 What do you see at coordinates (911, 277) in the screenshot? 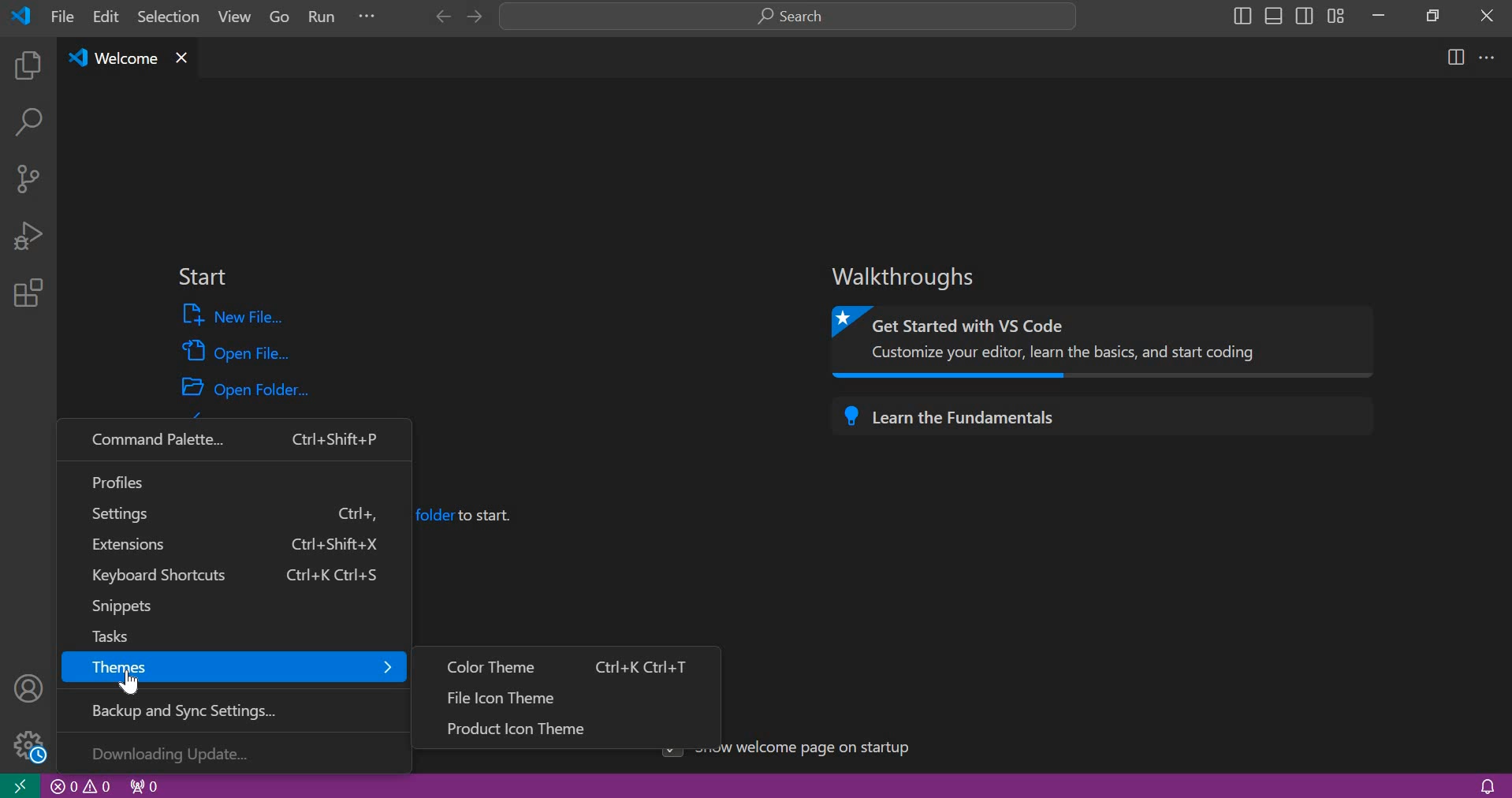
I see `walkthroughs` at bounding box center [911, 277].